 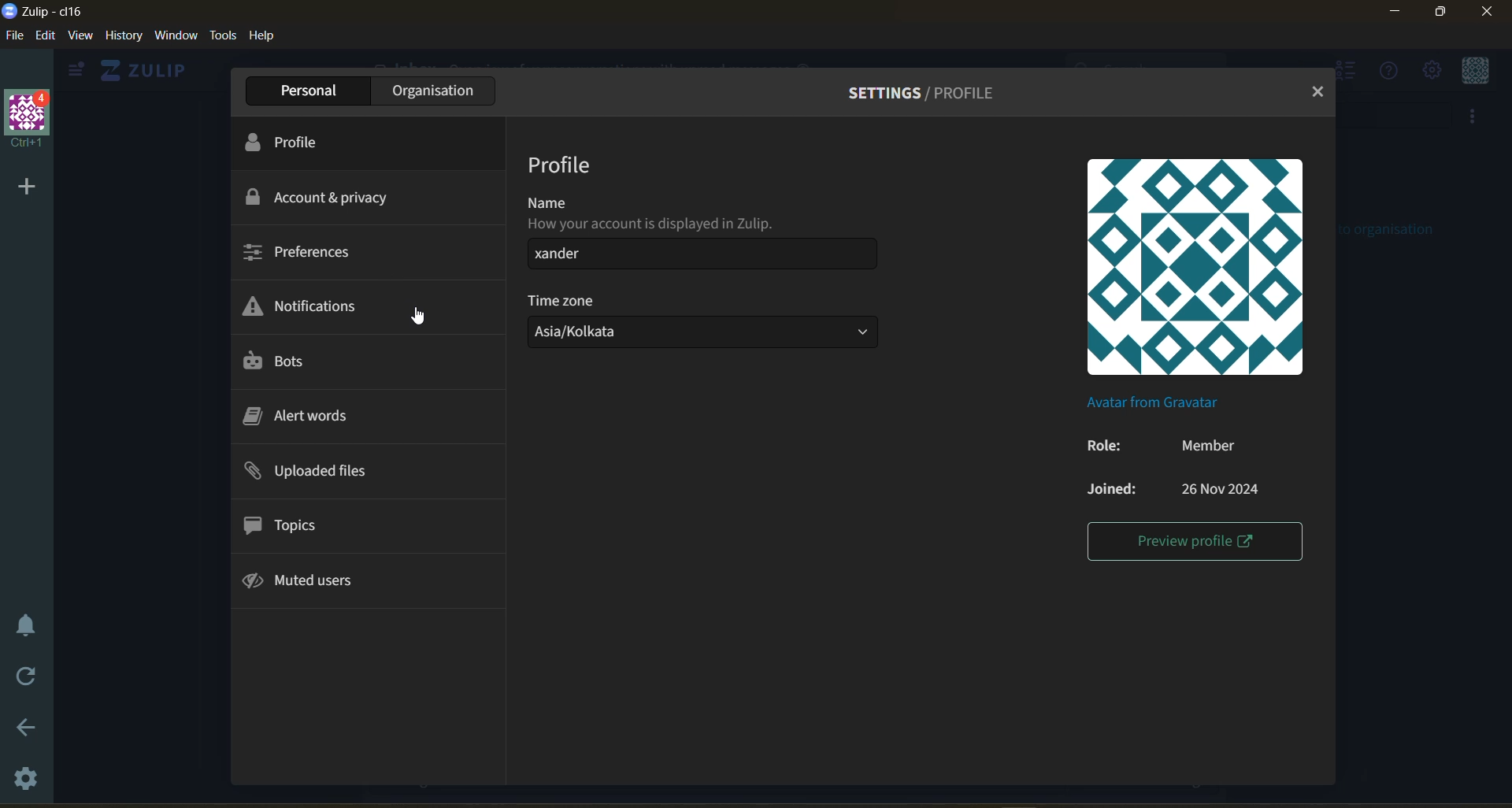 I want to click on close tab, so click(x=1319, y=93).